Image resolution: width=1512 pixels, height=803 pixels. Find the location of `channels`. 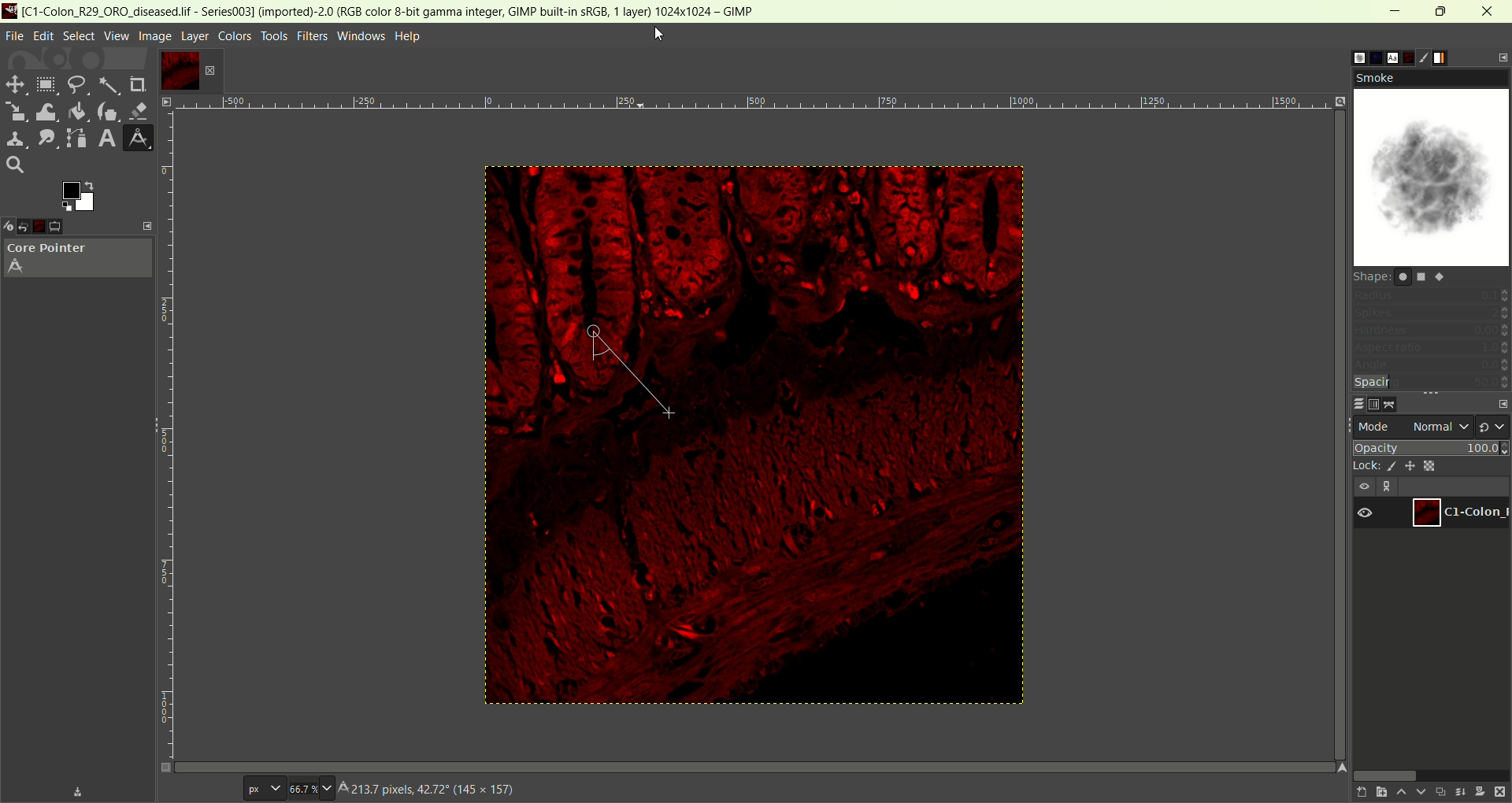

channels is located at coordinates (1374, 405).